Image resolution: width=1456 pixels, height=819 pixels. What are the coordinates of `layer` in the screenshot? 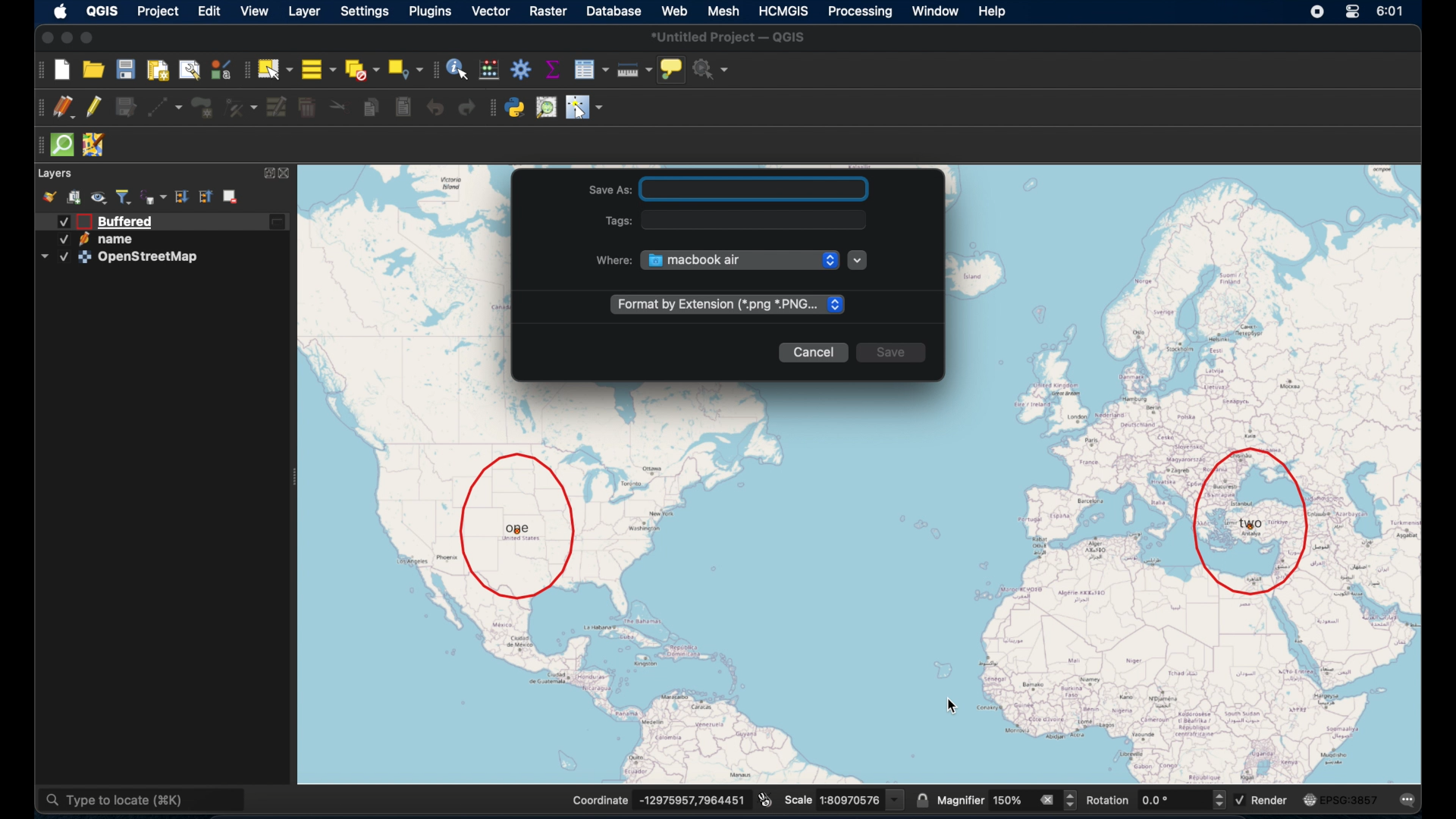 It's located at (303, 11).